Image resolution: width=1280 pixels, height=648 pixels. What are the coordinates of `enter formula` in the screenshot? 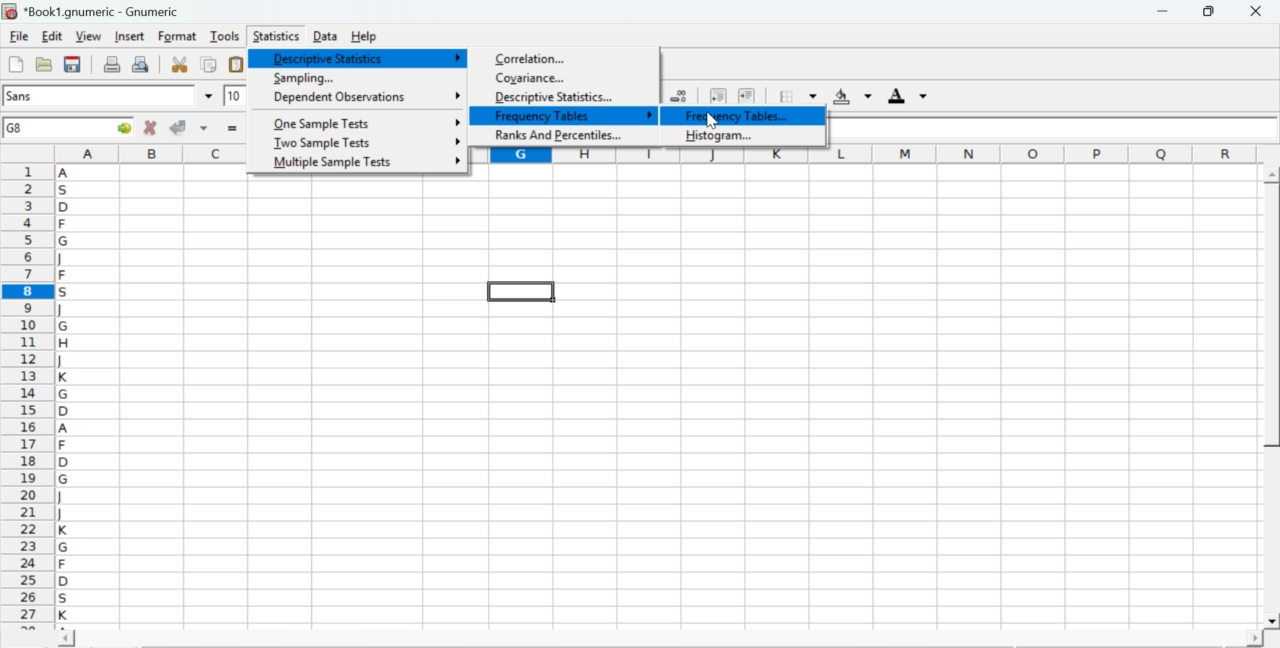 It's located at (234, 129).